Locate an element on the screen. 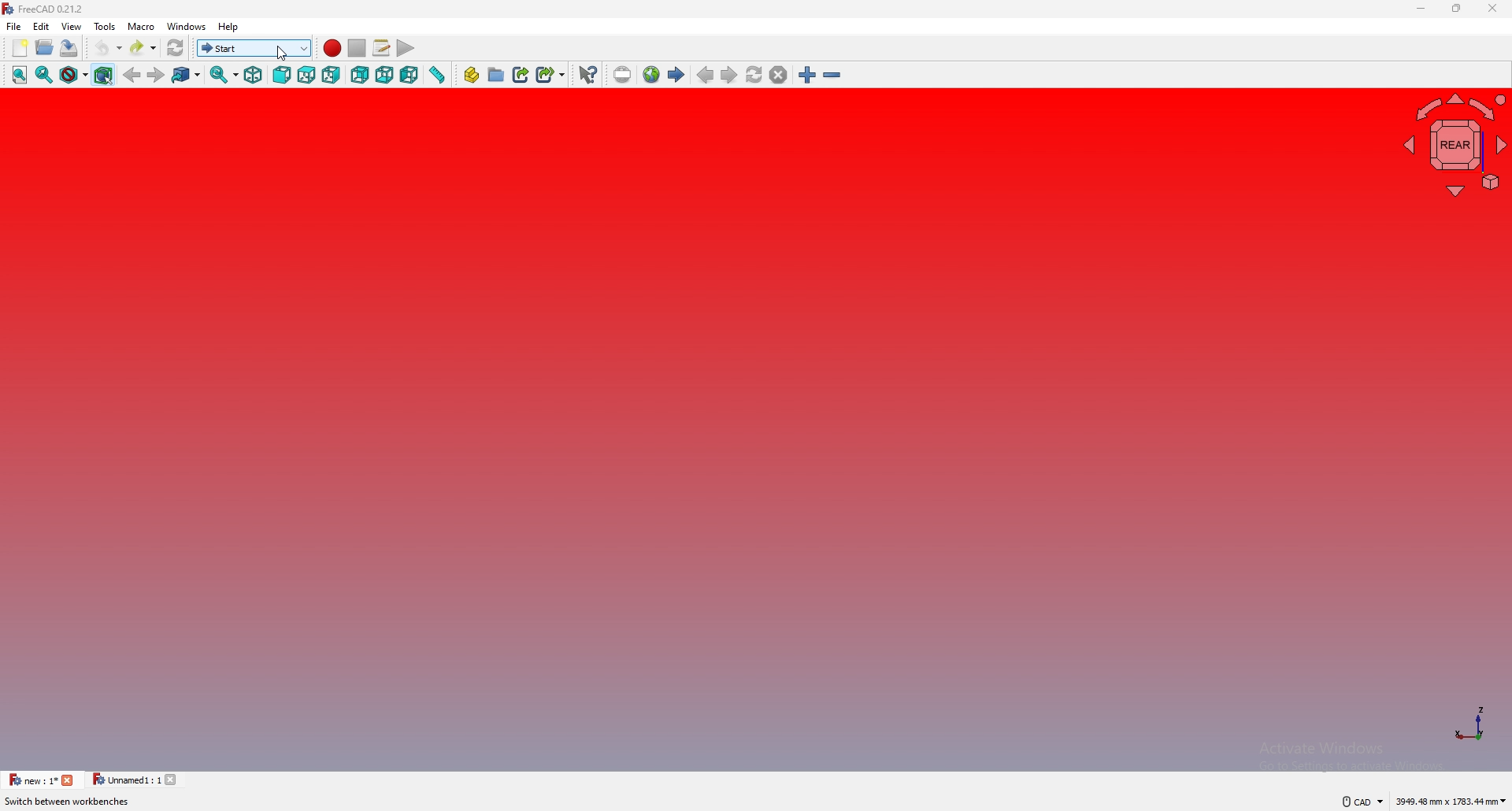 This screenshot has height=811, width=1512. whats this? is located at coordinates (588, 75).